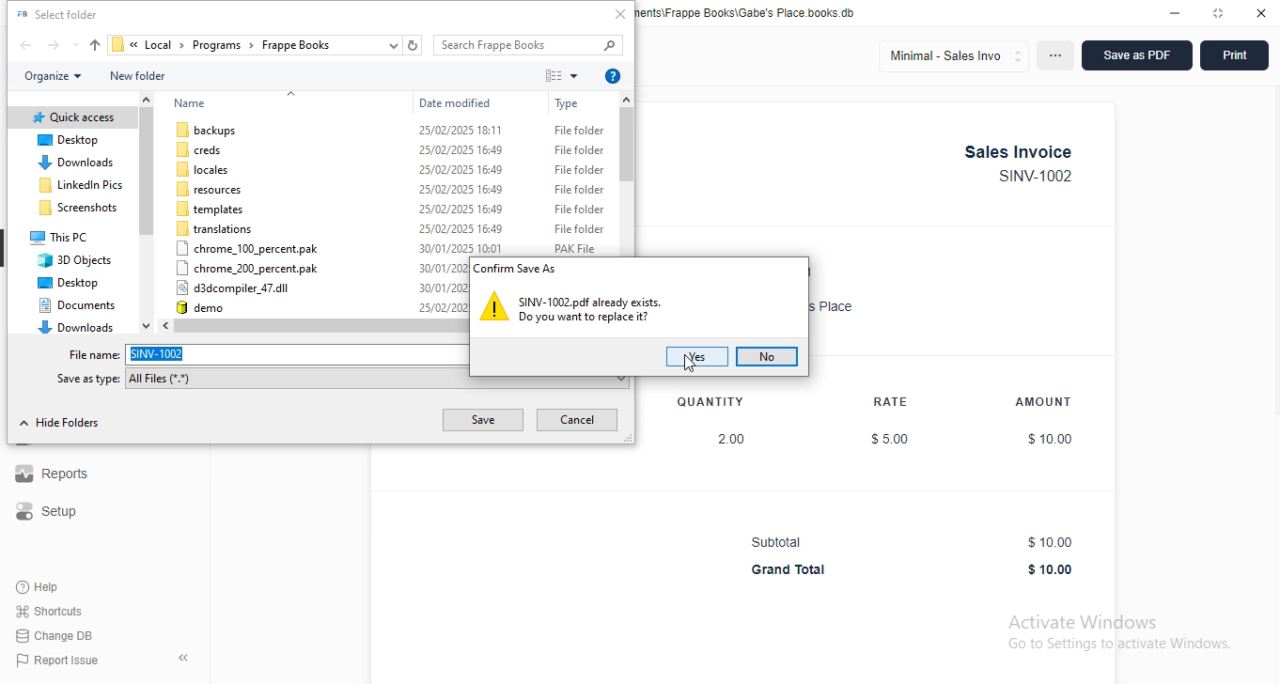  I want to click on scroll down, so click(147, 326).